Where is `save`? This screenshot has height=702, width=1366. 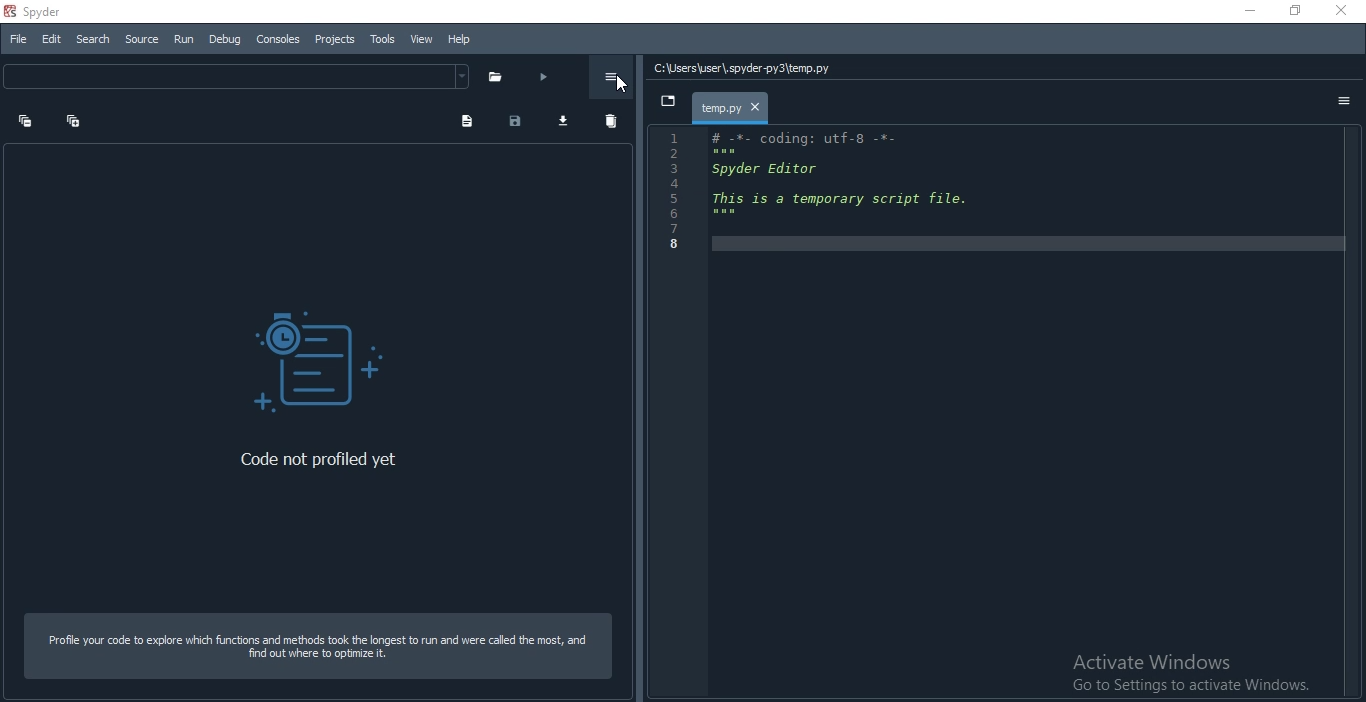
save is located at coordinates (520, 123).